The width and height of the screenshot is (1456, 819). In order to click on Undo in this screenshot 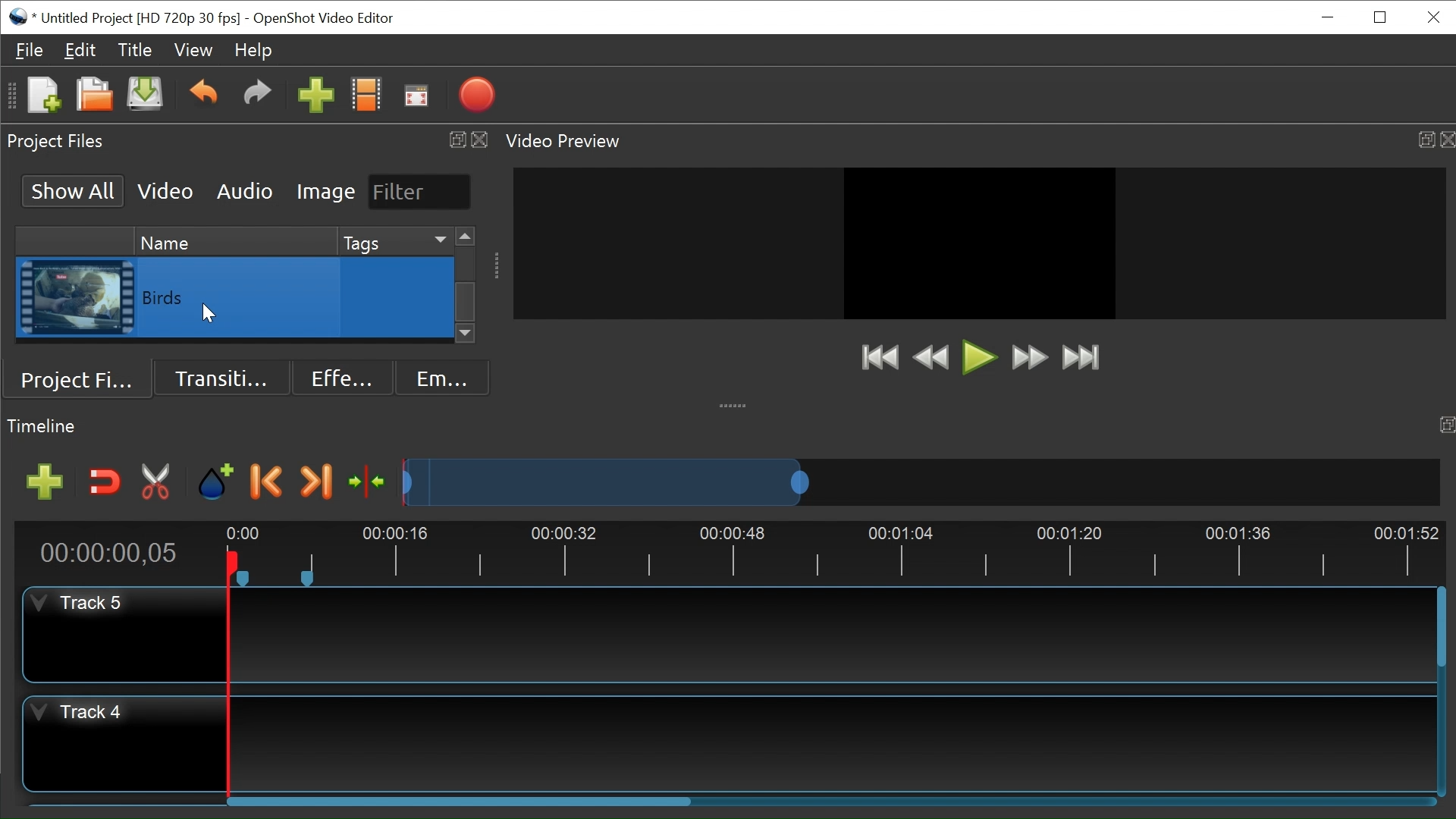, I will do `click(203, 95)`.